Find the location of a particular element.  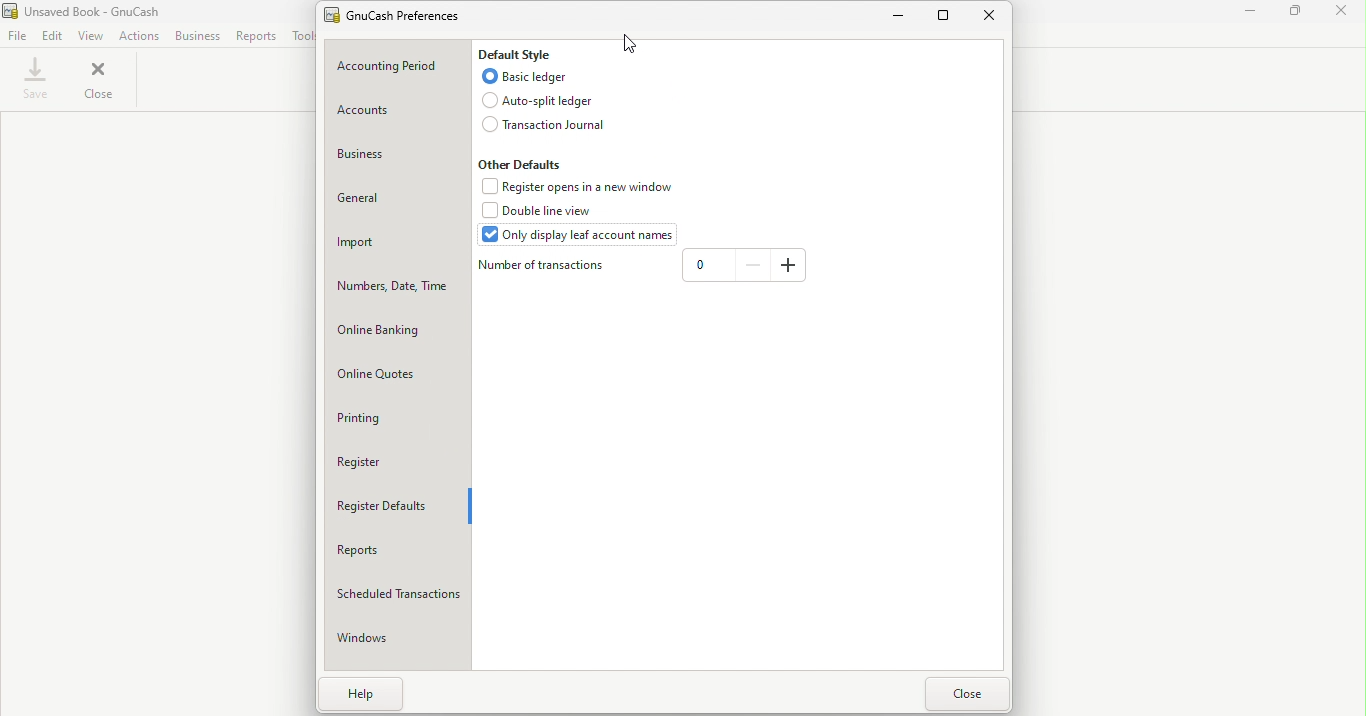

Close is located at coordinates (1346, 14).